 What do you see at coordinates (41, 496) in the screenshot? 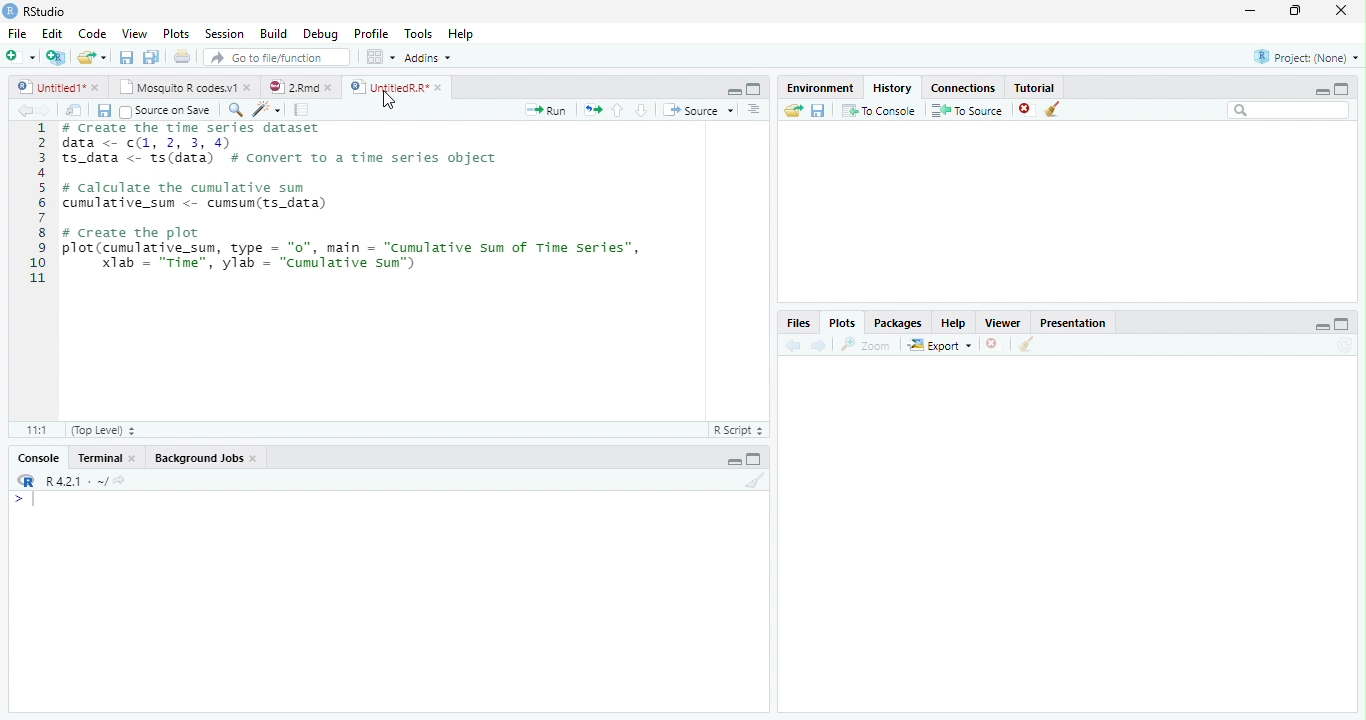
I see `Input Cursor` at bounding box center [41, 496].